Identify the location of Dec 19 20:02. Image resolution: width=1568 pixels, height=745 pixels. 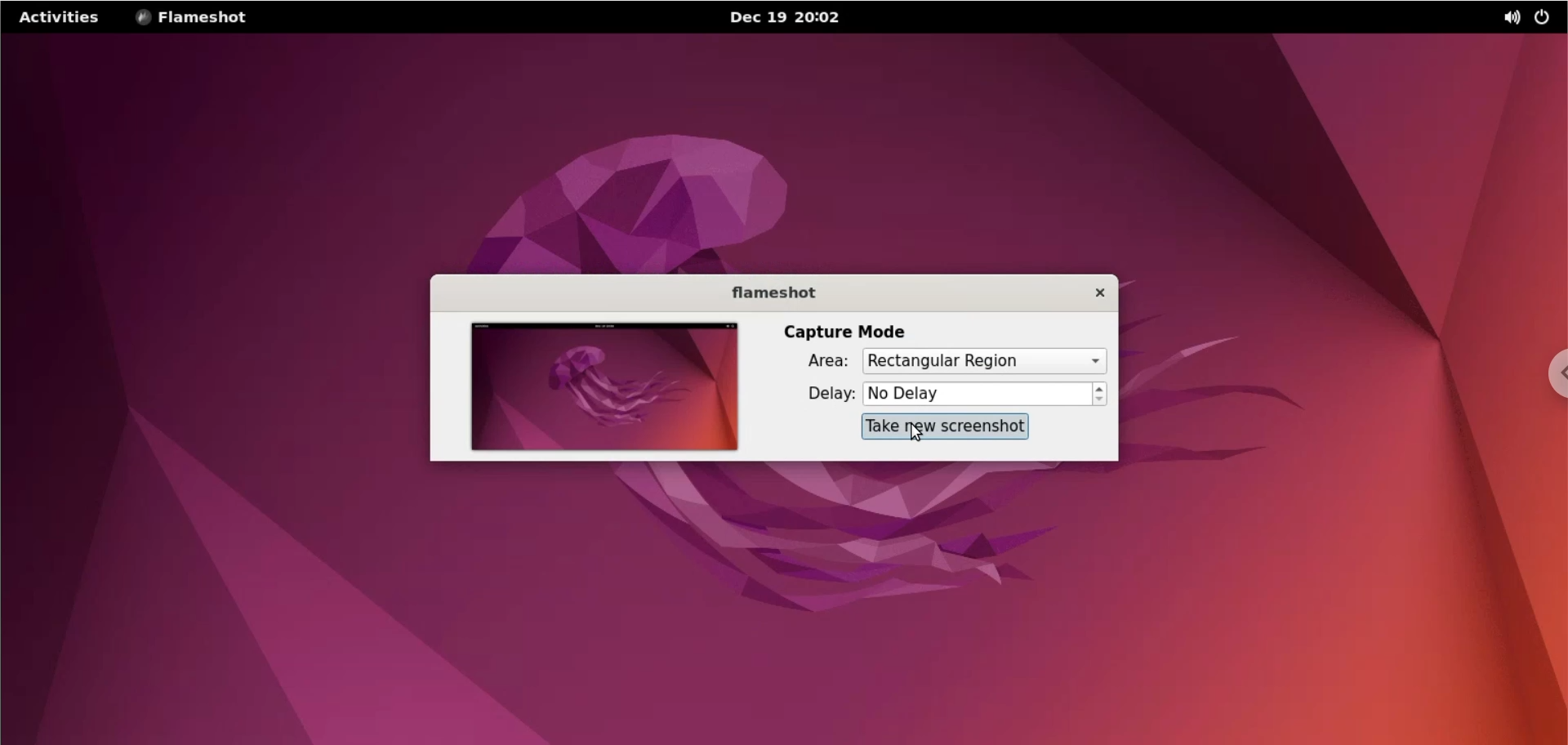
(796, 18).